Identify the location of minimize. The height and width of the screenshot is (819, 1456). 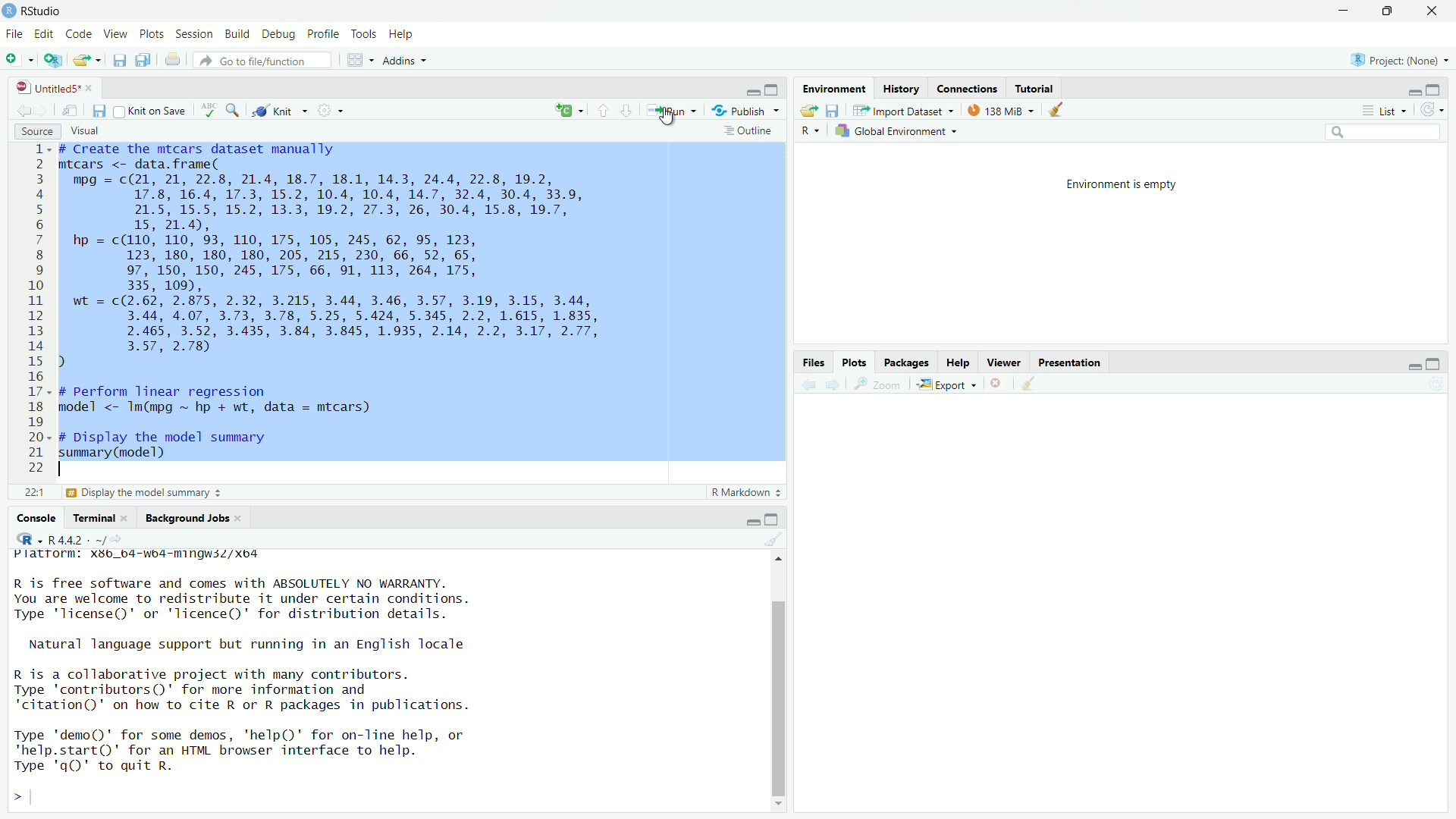
(1413, 93).